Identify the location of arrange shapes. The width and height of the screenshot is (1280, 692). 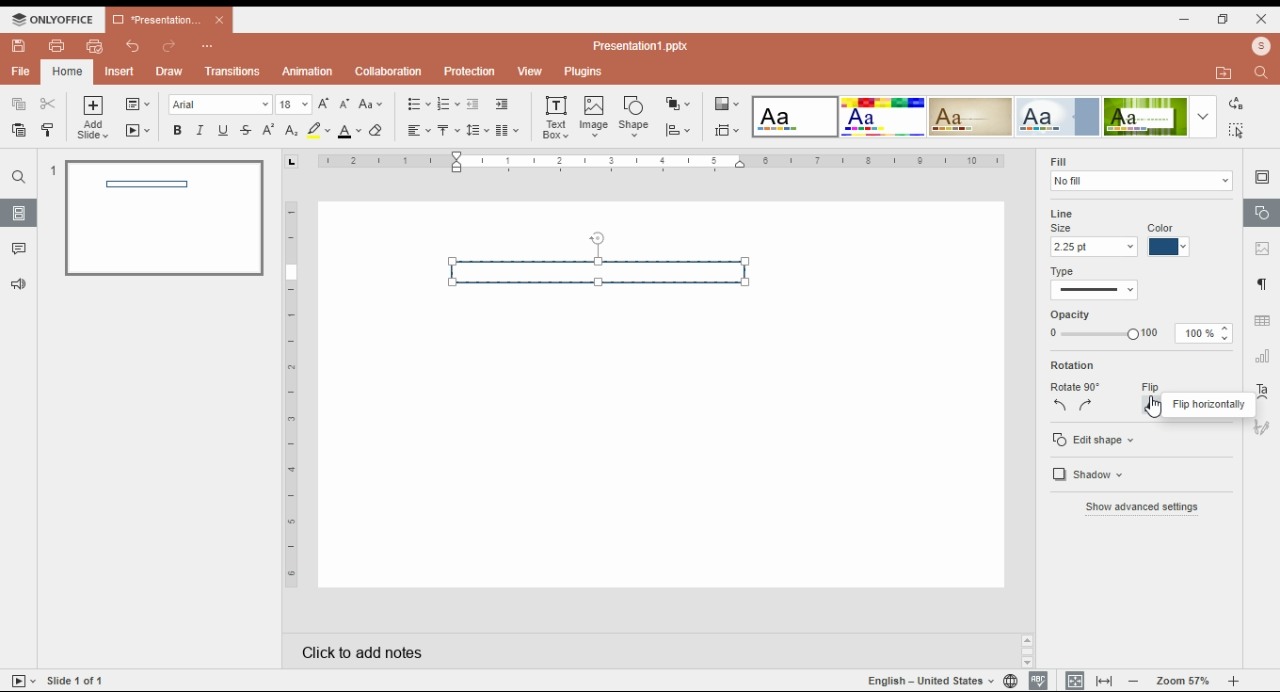
(679, 103).